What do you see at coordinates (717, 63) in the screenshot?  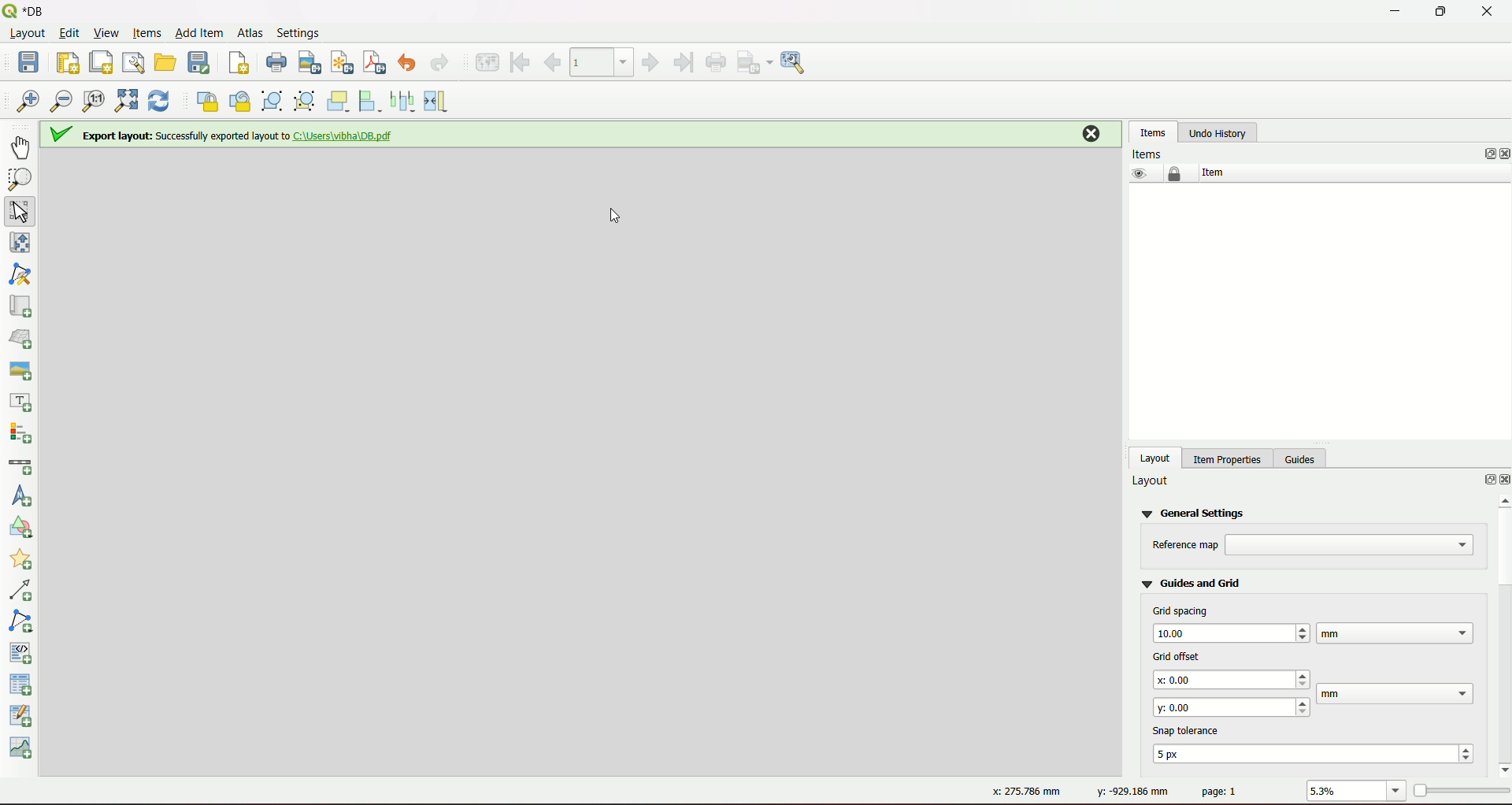 I see `print atlas` at bounding box center [717, 63].